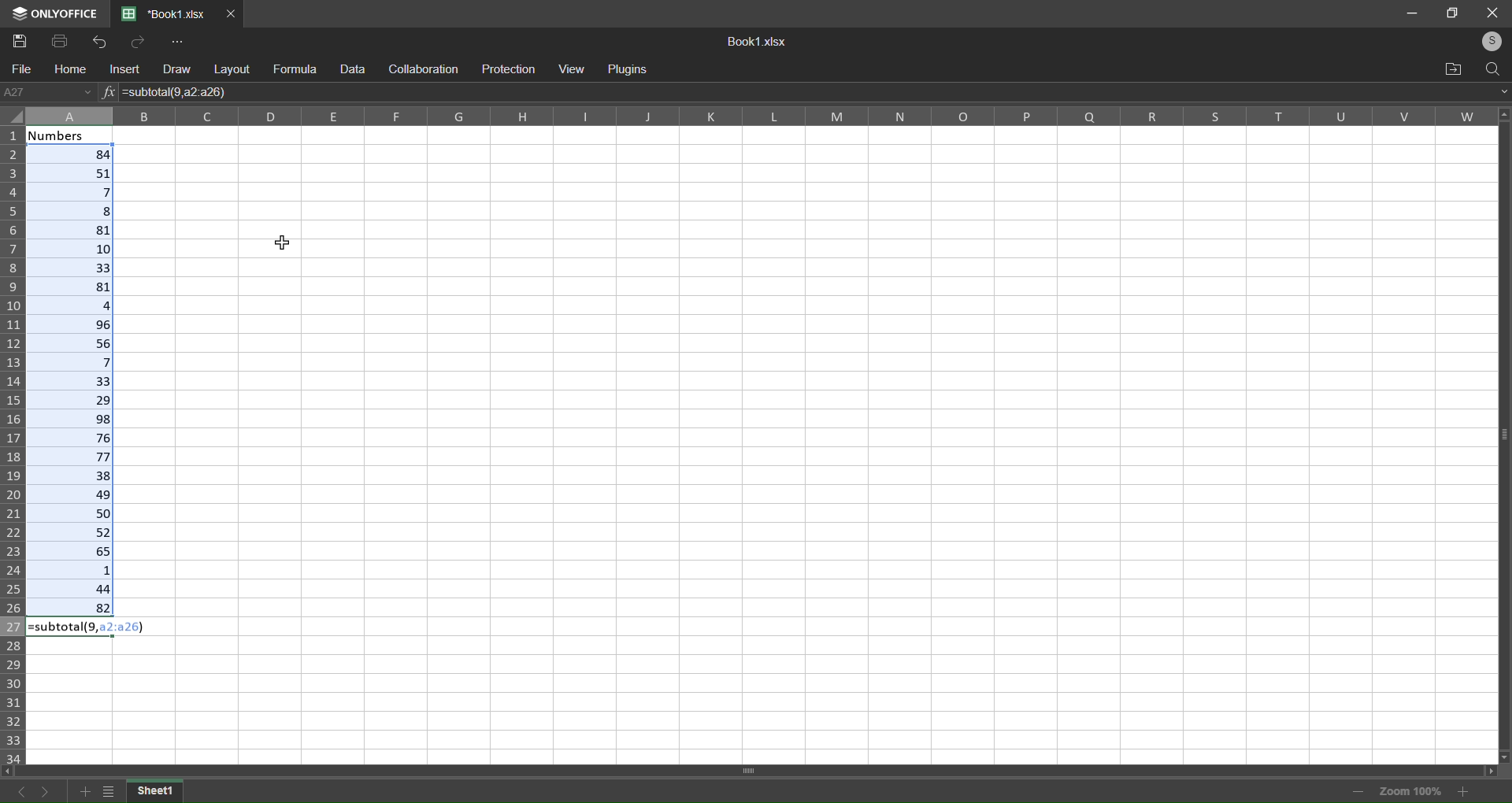 The image size is (1512, 803). What do you see at coordinates (1493, 40) in the screenshot?
I see `login` at bounding box center [1493, 40].